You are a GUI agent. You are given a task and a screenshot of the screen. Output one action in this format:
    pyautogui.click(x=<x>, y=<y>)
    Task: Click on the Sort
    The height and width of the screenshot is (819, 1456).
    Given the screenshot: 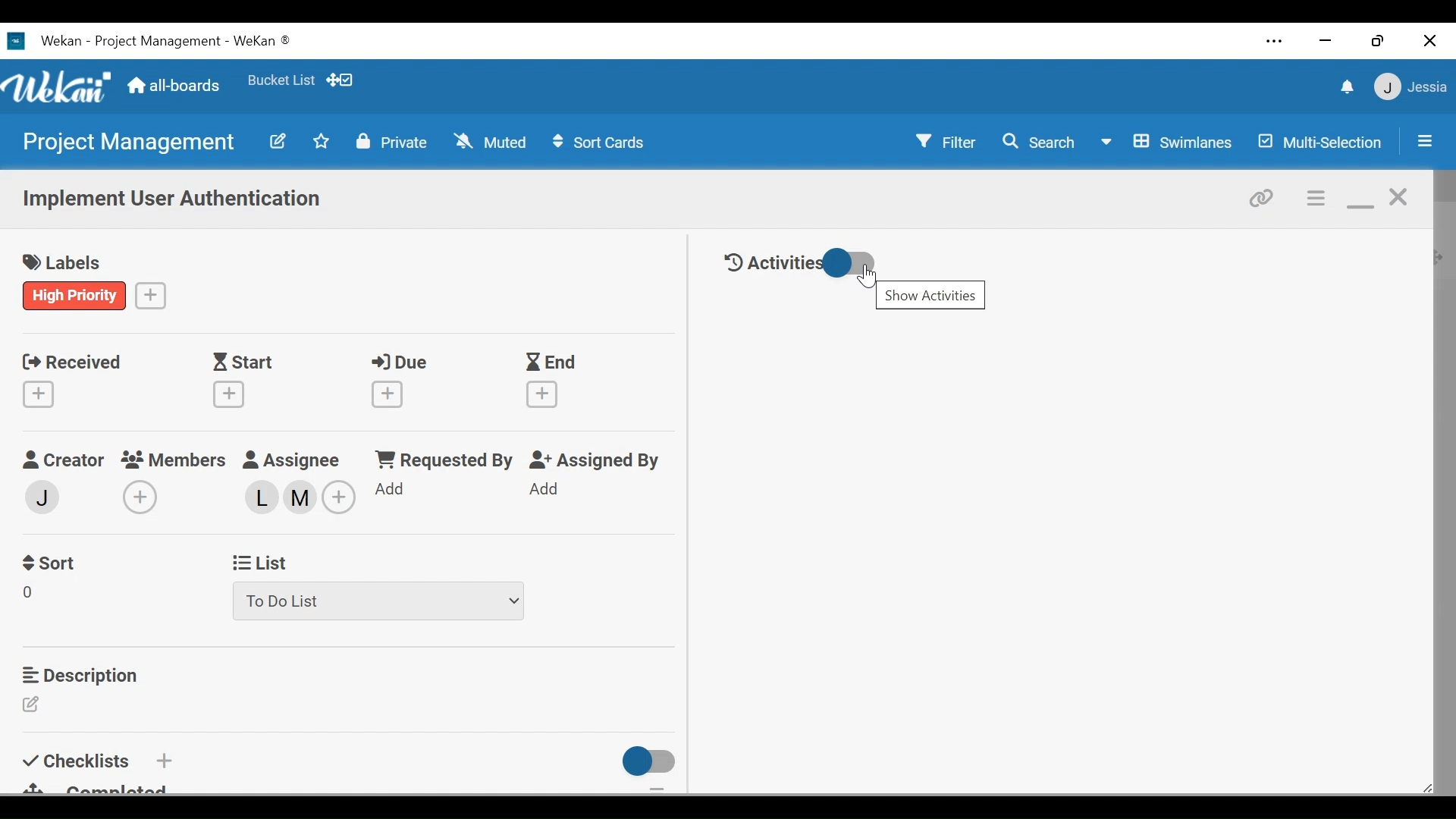 What is the action you would take?
    pyautogui.click(x=47, y=561)
    